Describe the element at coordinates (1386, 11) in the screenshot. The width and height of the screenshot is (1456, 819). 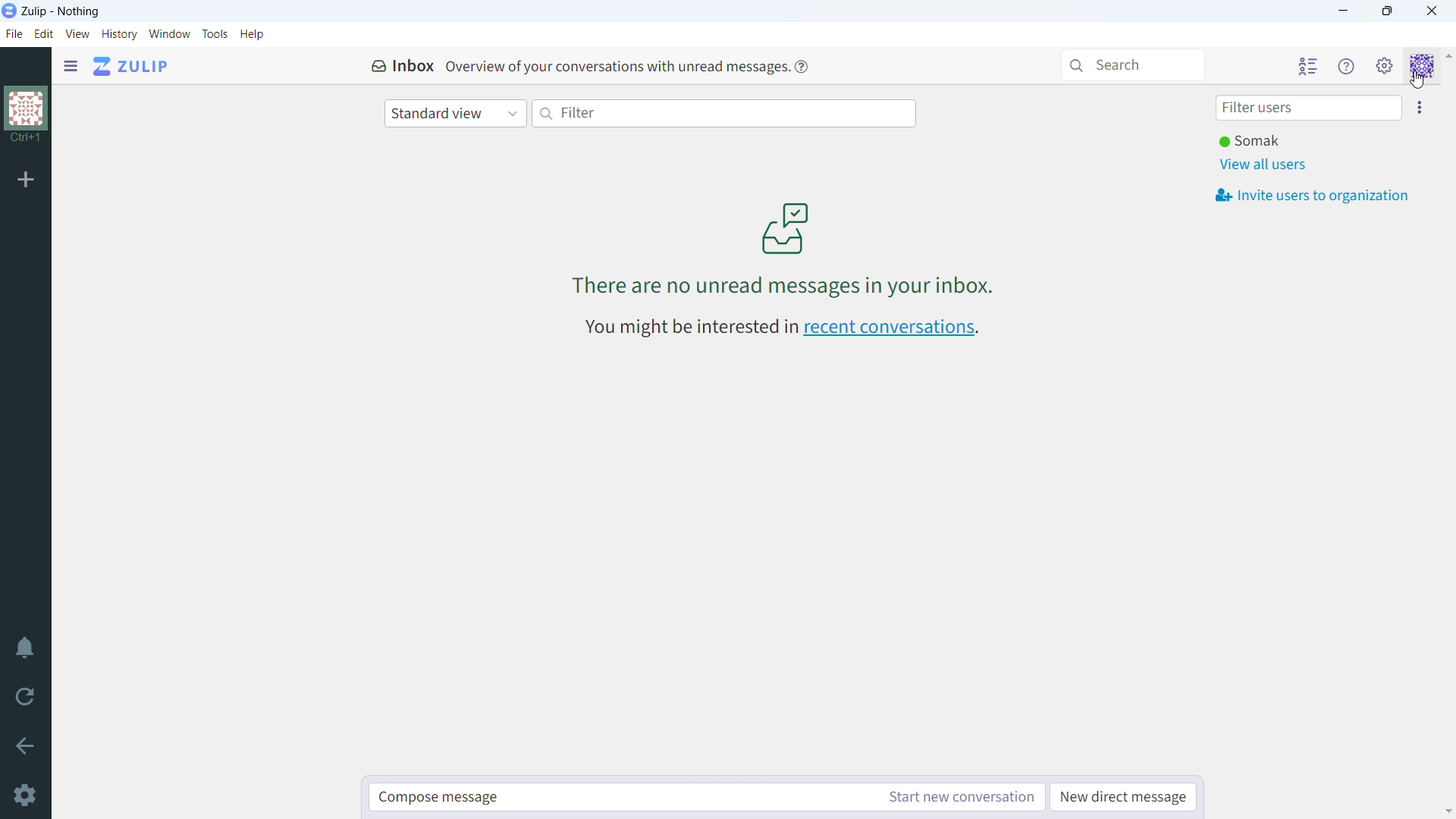
I see `maximize` at that location.